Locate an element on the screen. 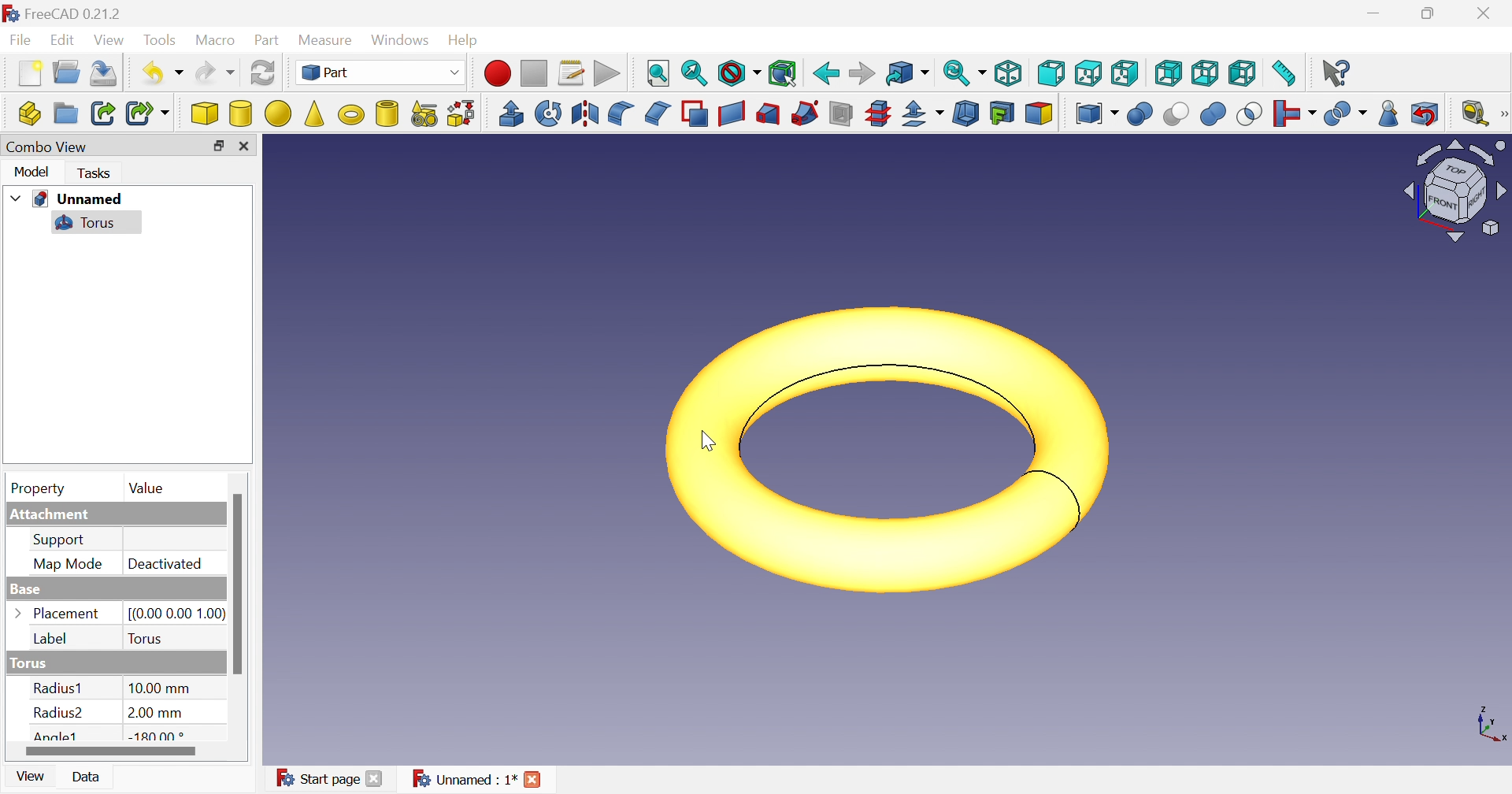 This screenshot has width=1512, height=794. [Measure] is located at coordinates (1503, 113).